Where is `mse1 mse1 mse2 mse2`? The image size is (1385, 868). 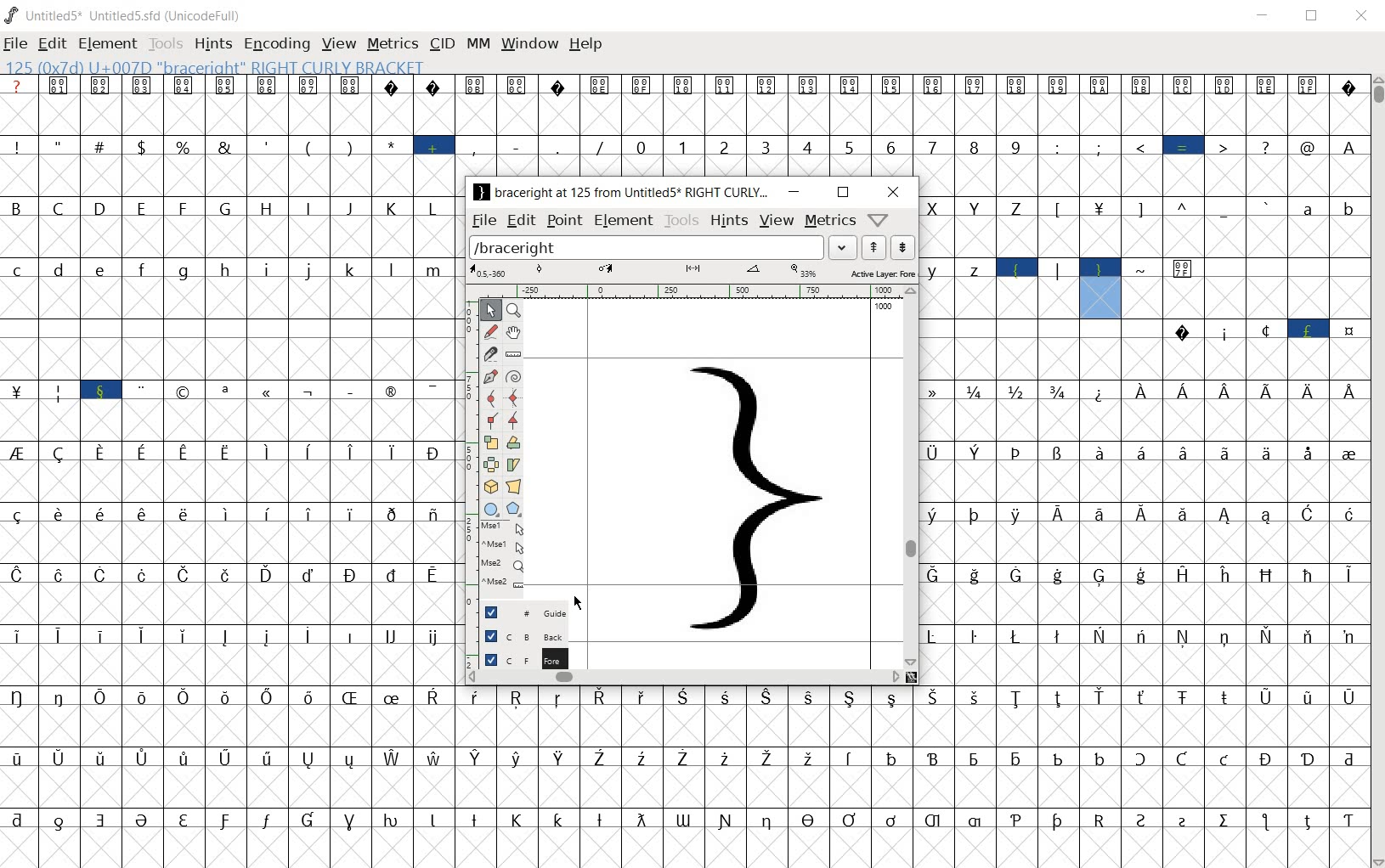 mse1 mse1 mse2 mse2 is located at coordinates (497, 557).